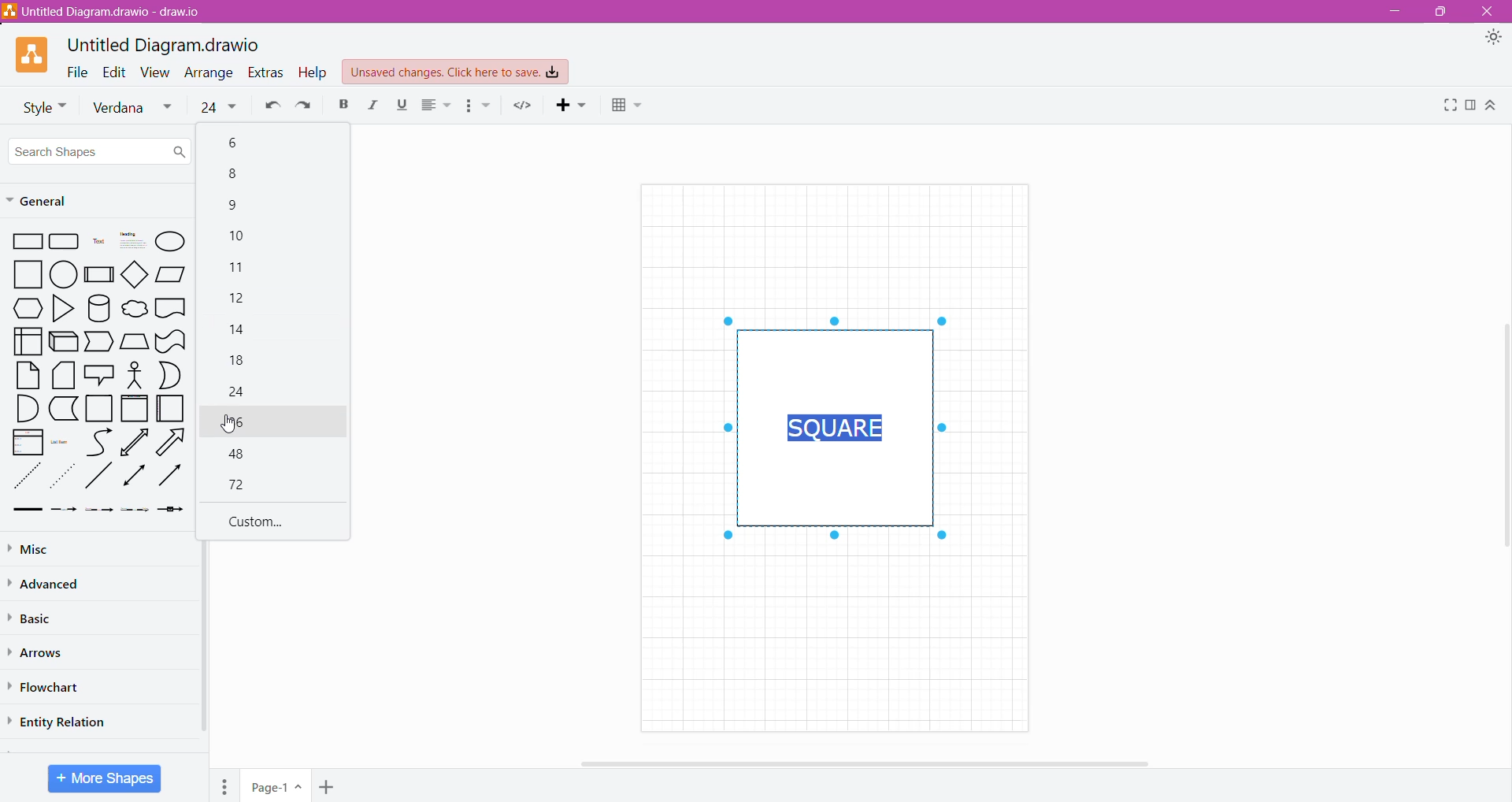 This screenshot has width=1512, height=802. I want to click on Custom, so click(257, 522).